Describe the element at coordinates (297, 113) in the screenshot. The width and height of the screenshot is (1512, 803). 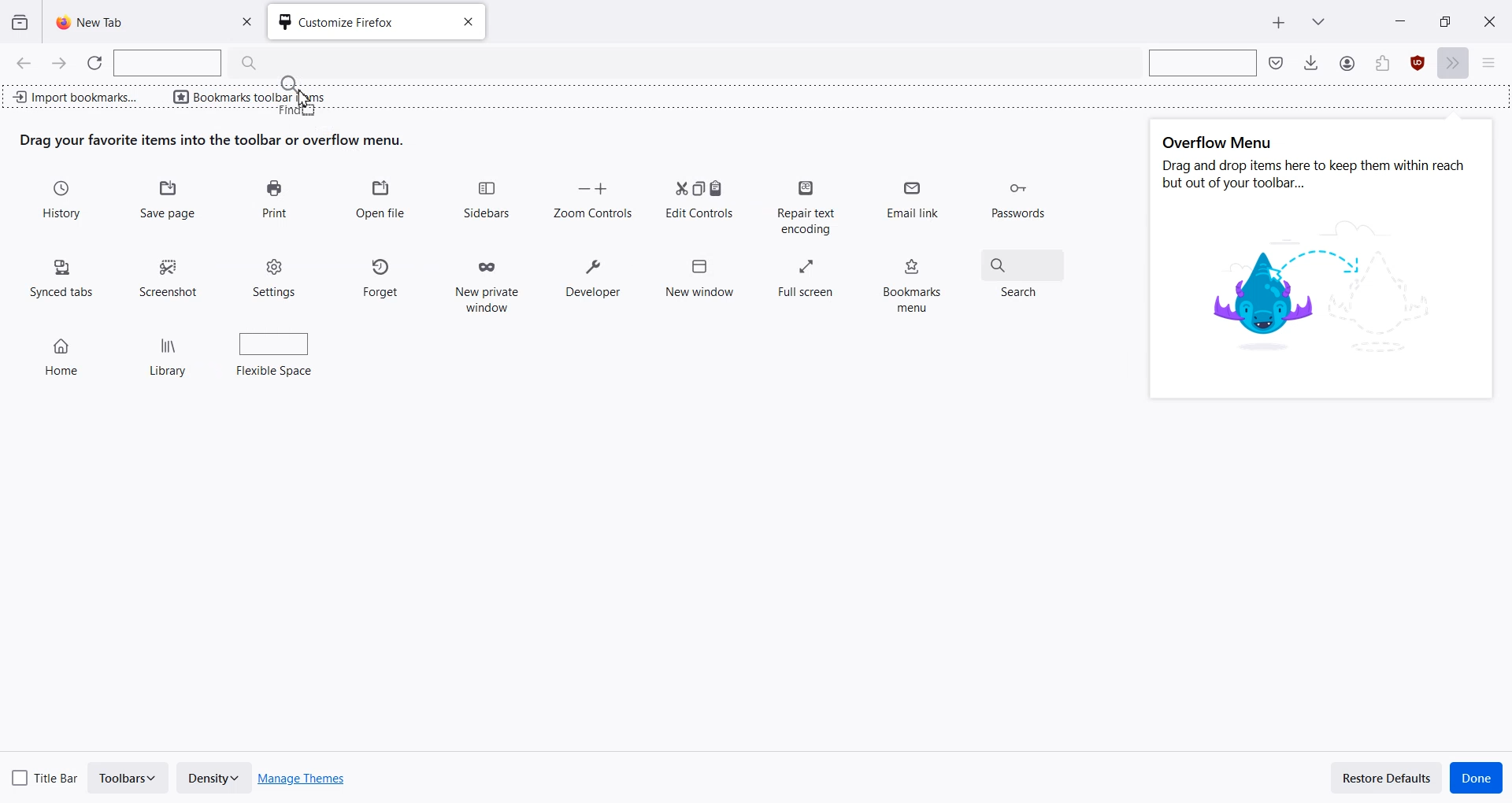
I see `find` at that location.